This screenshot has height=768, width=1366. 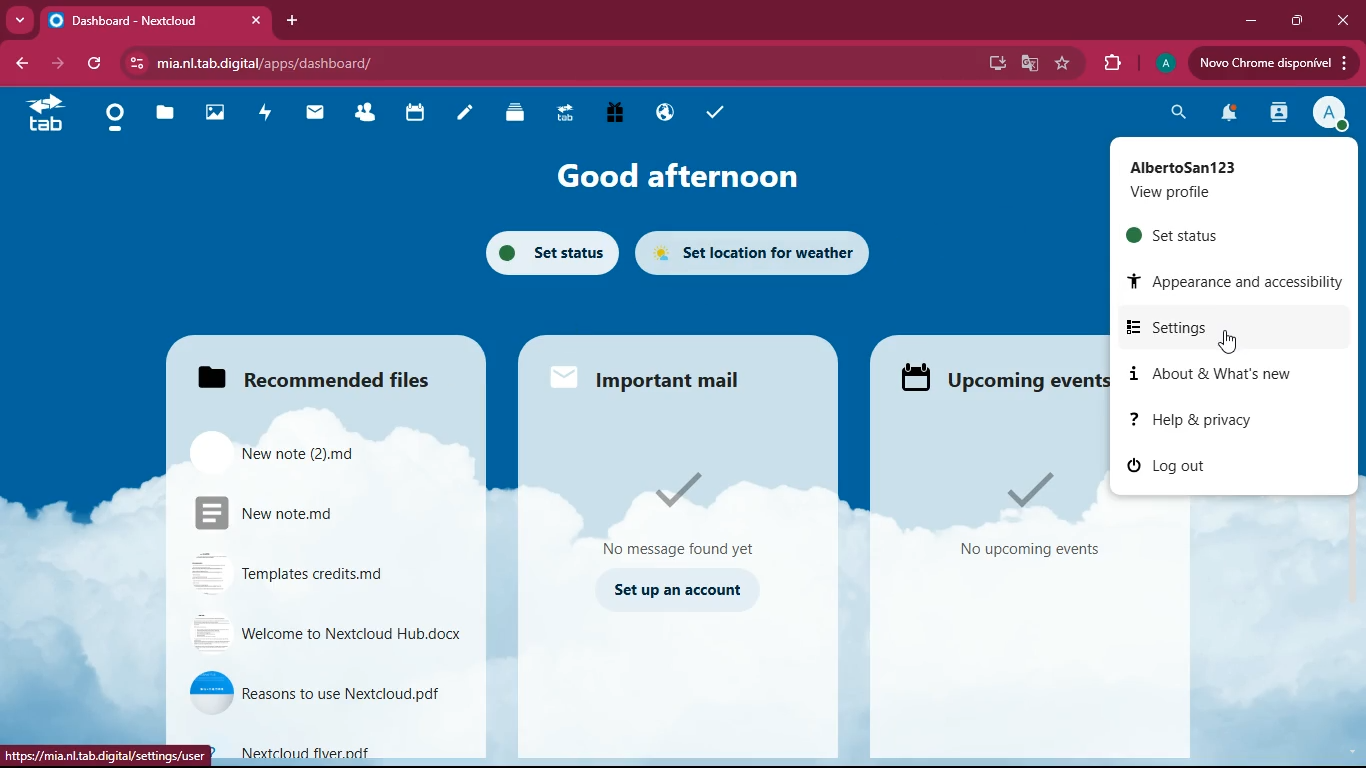 What do you see at coordinates (1247, 19) in the screenshot?
I see `minimize` at bounding box center [1247, 19].